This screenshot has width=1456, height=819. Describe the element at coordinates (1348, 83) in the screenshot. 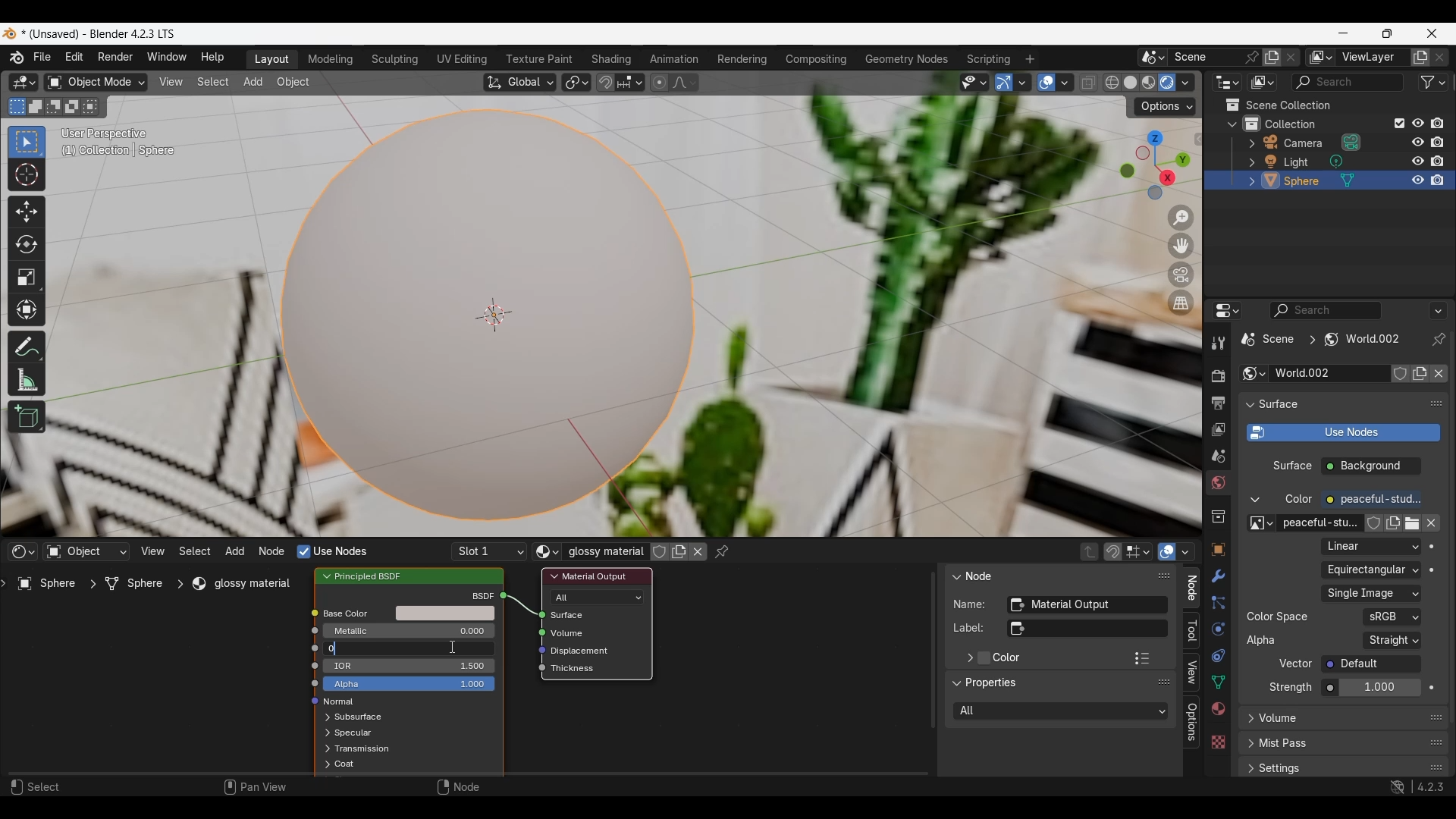

I see `Filter search` at that location.